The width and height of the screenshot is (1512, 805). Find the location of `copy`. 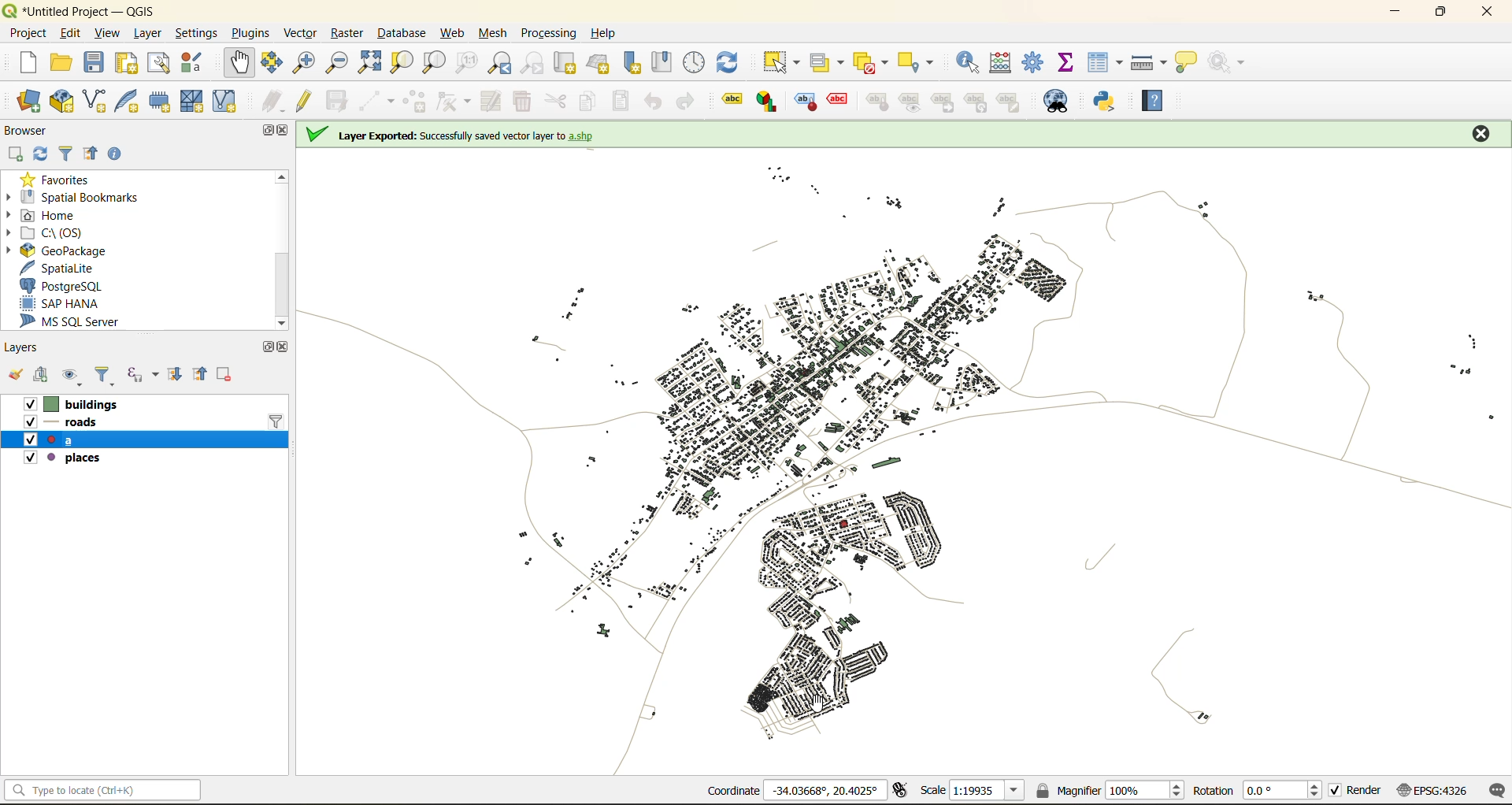

copy is located at coordinates (591, 103).